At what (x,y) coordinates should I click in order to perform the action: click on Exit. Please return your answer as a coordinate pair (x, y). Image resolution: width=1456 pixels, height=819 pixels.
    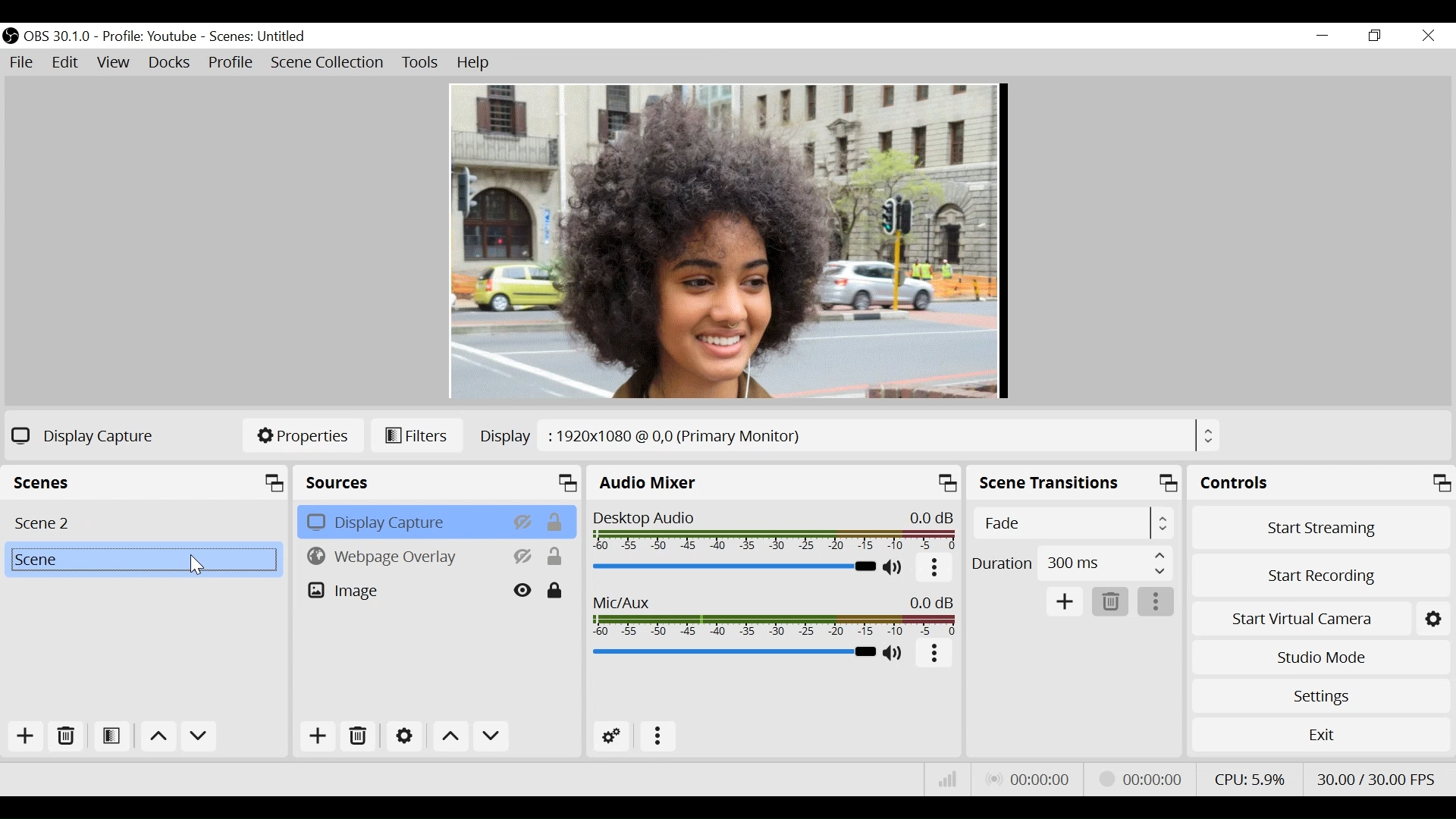
    Looking at the image, I should click on (1317, 736).